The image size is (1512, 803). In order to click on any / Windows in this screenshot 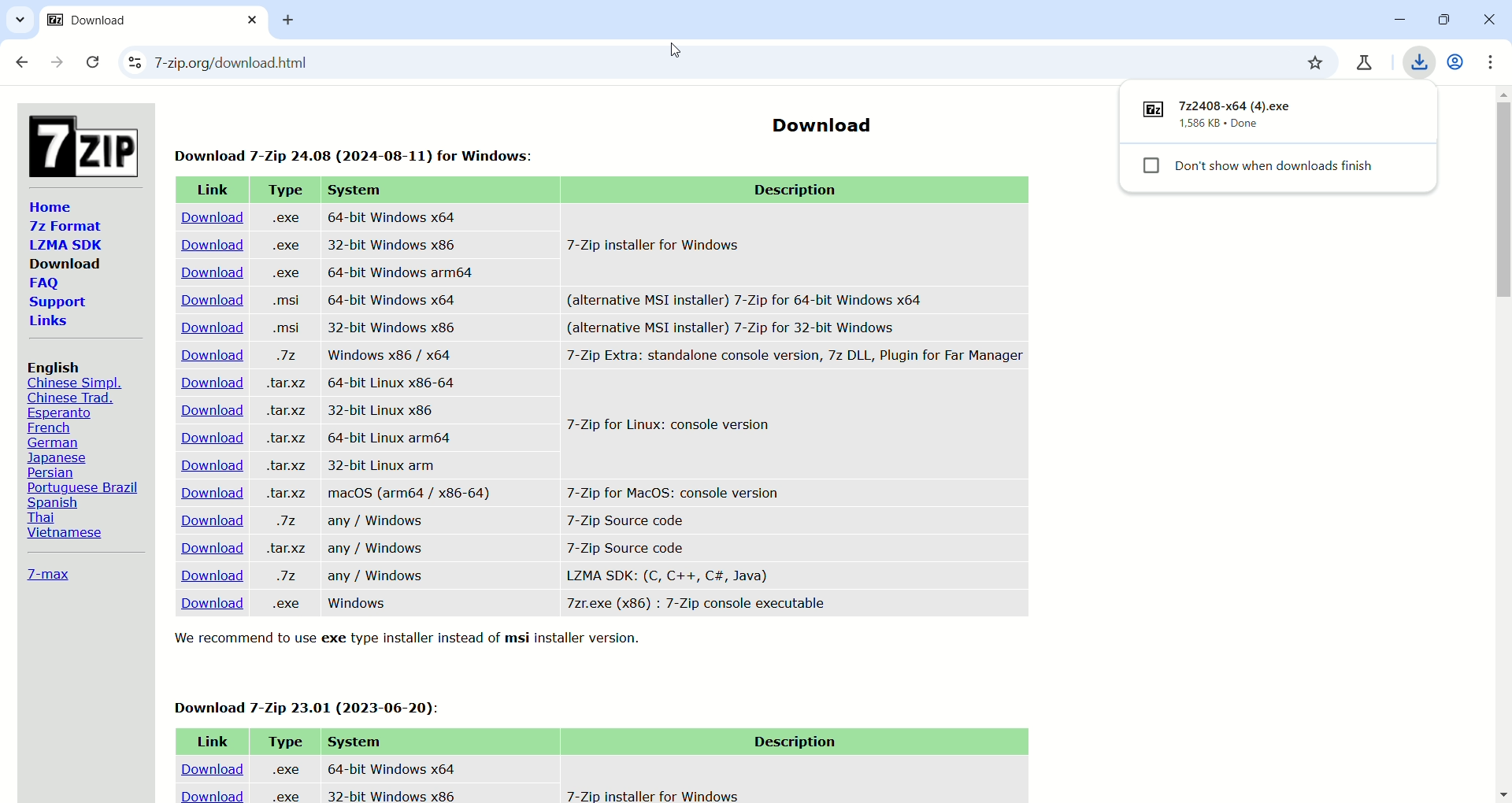, I will do `click(378, 576)`.